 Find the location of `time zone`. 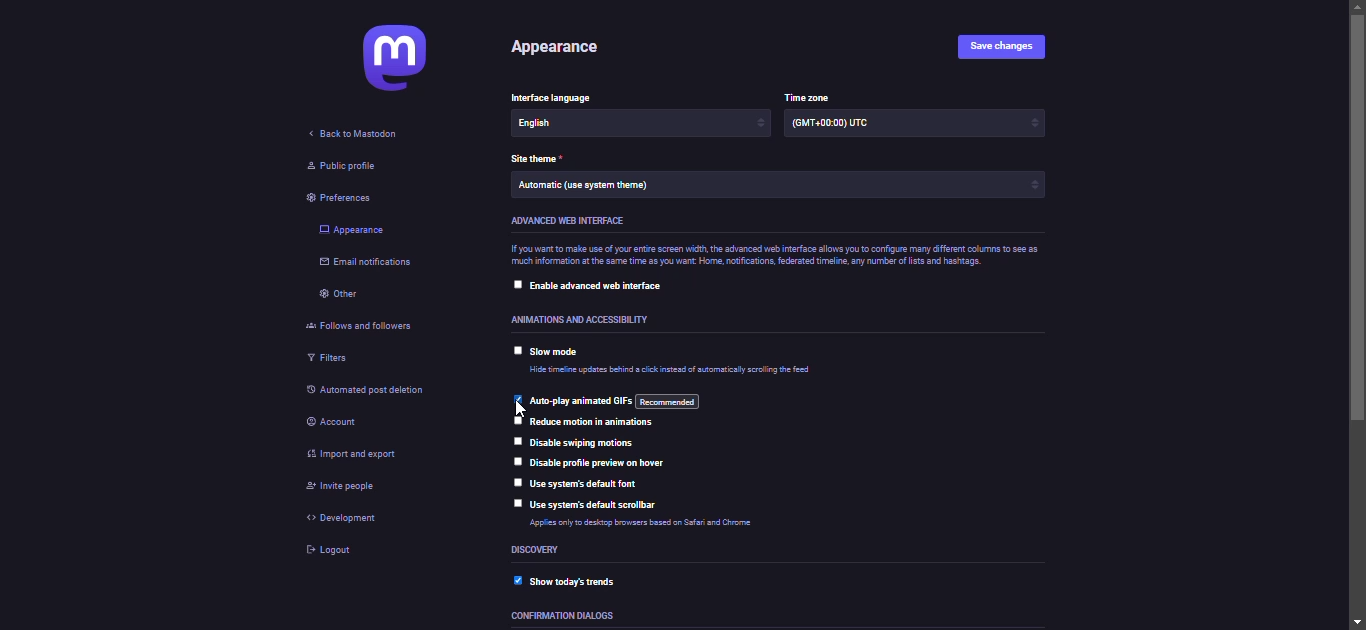

time zone is located at coordinates (844, 125).